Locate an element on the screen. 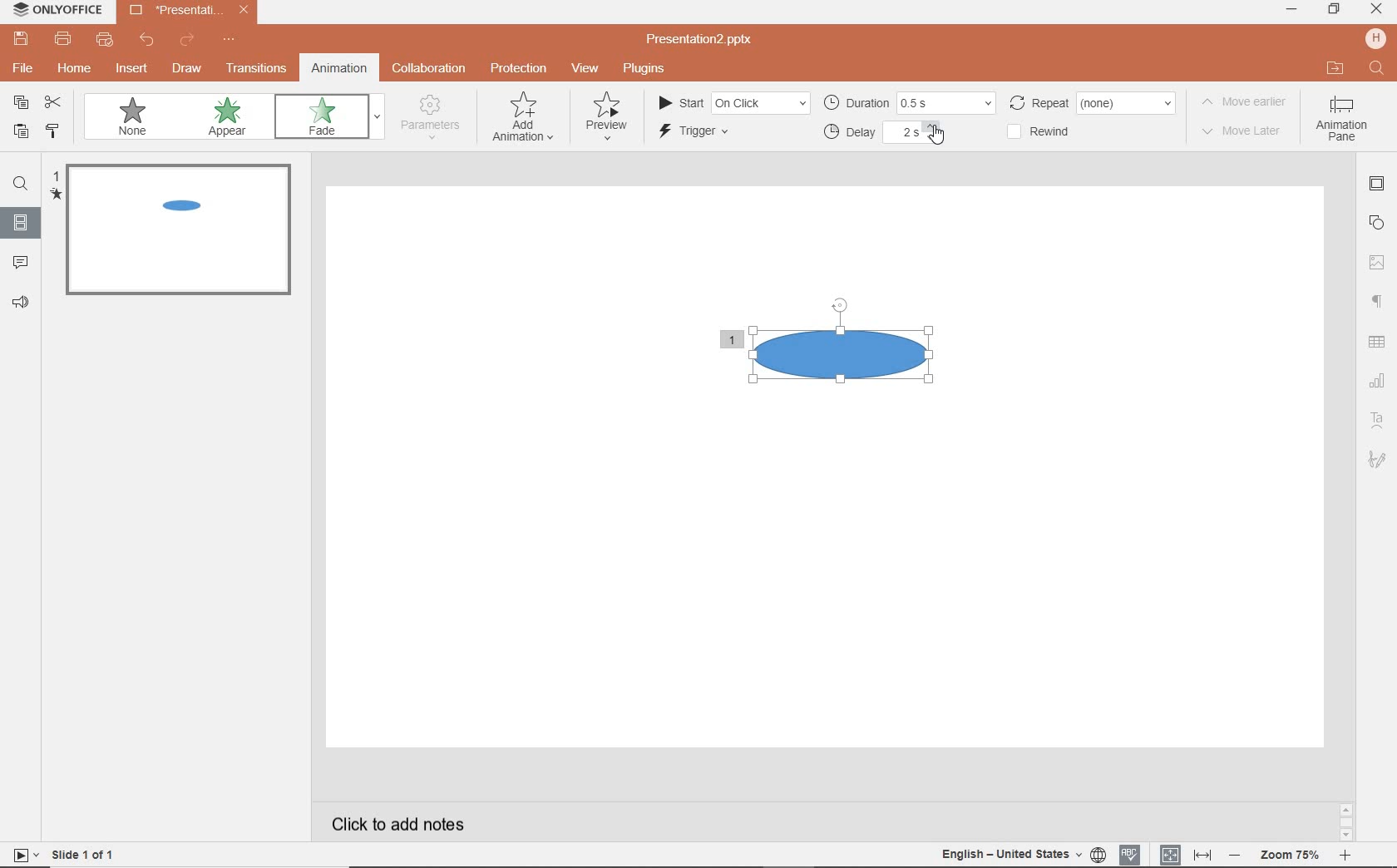 This screenshot has height=868, width=1397. duration is located at coordinates (911, 102).